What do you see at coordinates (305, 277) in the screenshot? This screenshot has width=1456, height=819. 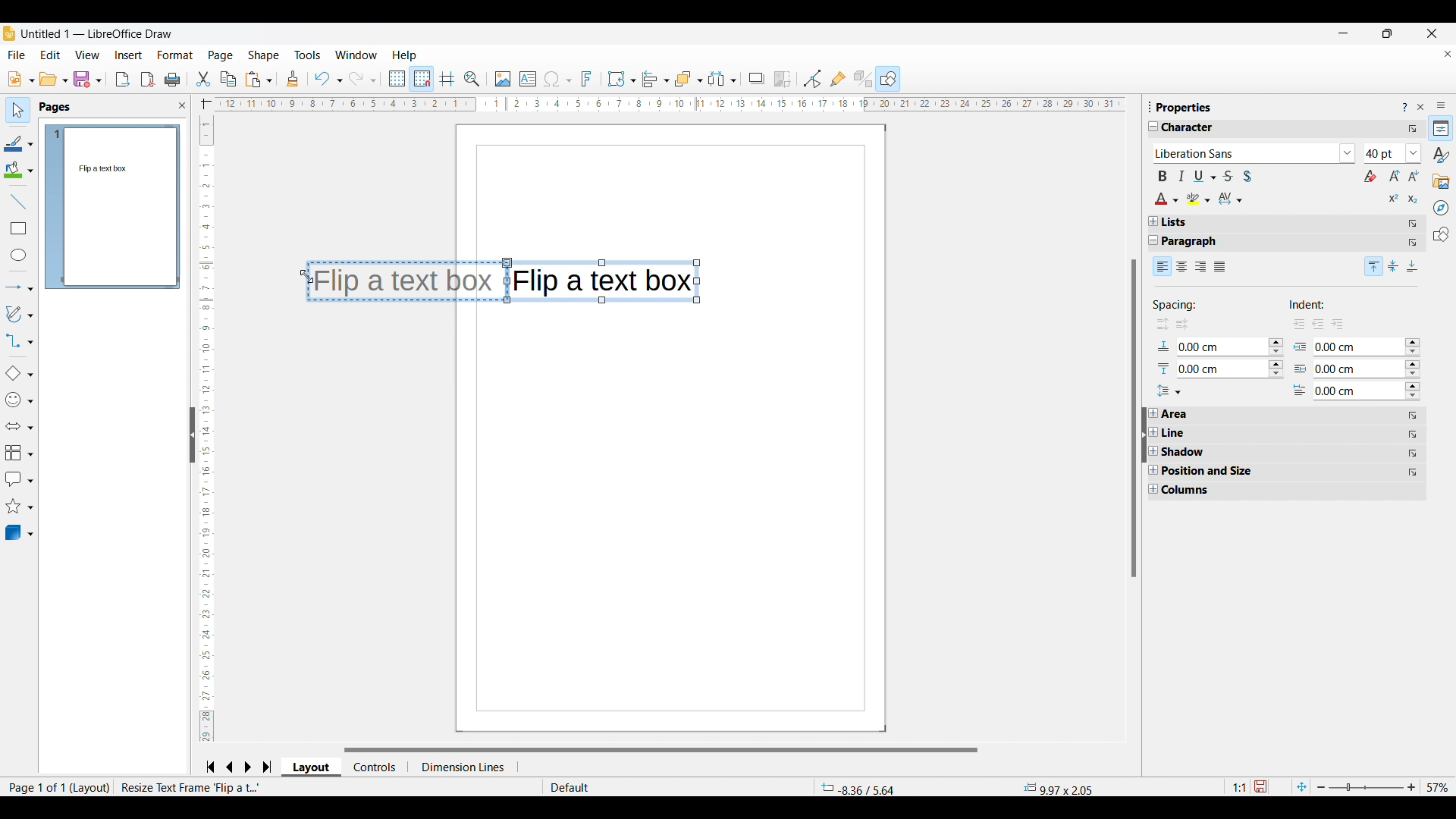 I see `Cursor` at bounding box center [305, 277].